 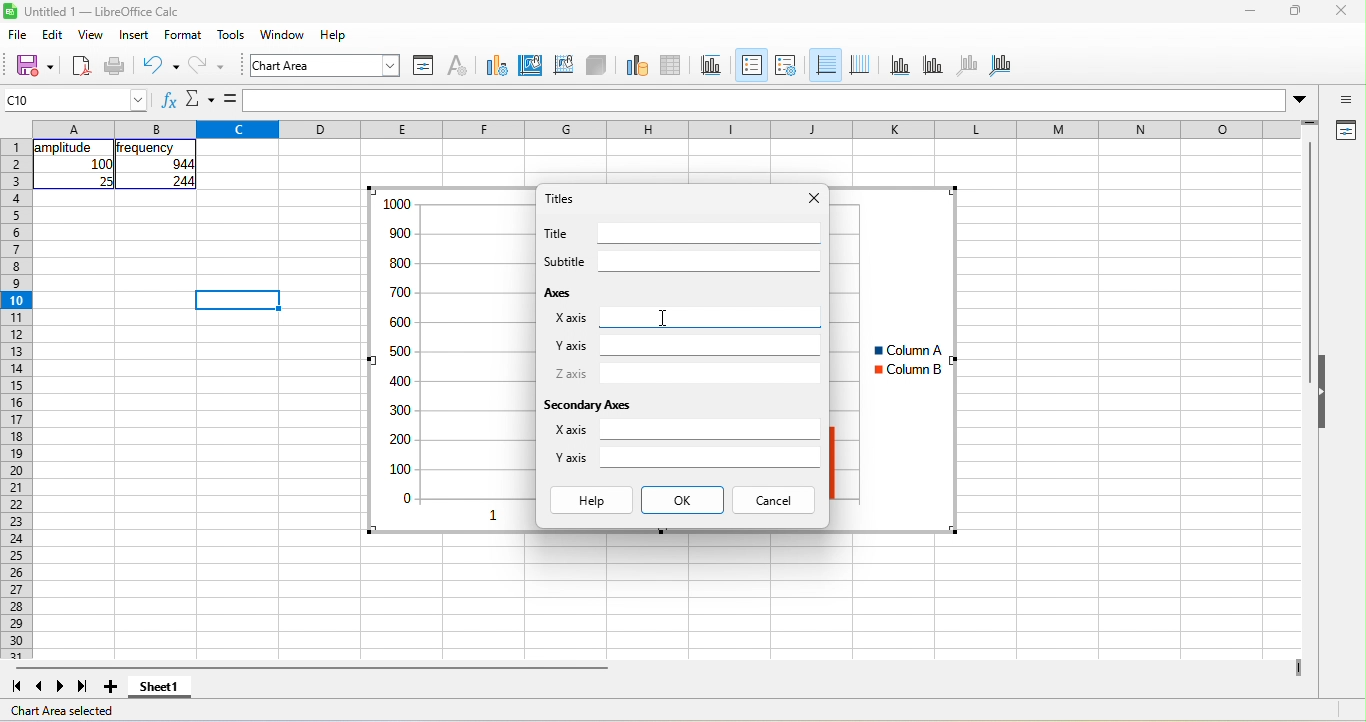 I want to click on axes, so click(x=560, y=292).